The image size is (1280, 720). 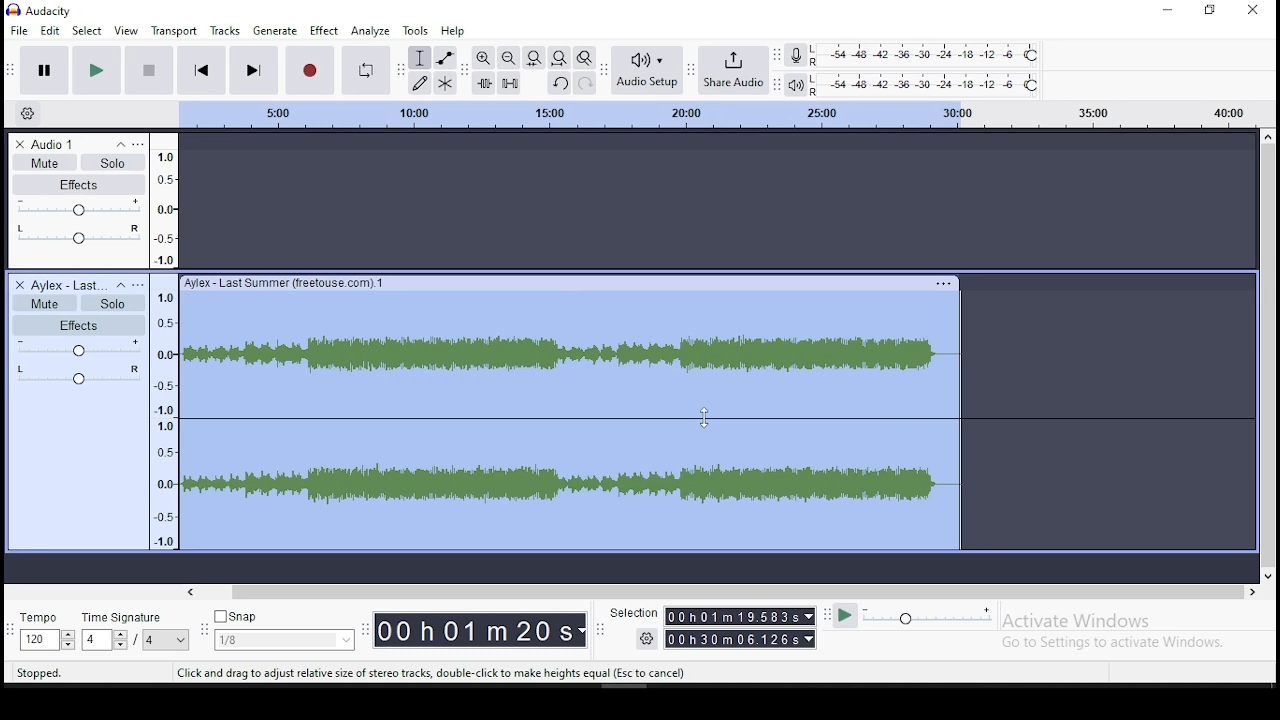 I want to click on playback meter, so click(x=795, y=85).